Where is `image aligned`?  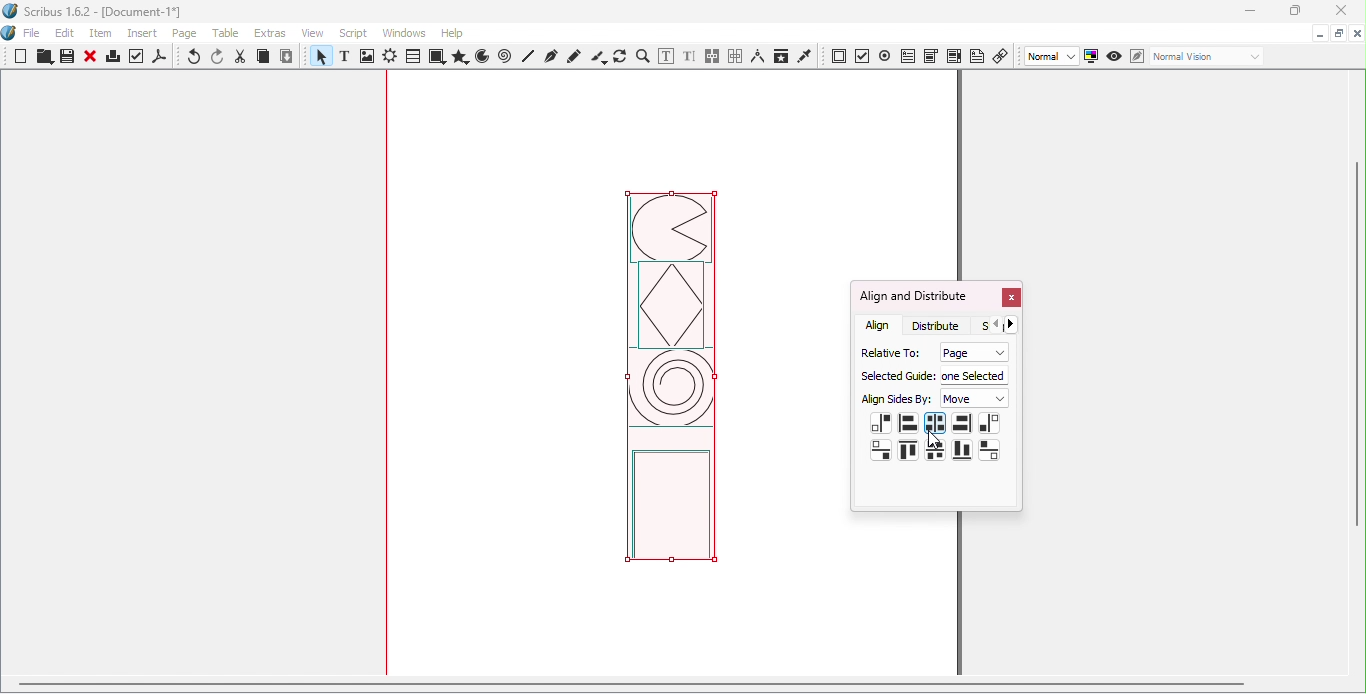 image aligned is located at coordinates (671, 385).